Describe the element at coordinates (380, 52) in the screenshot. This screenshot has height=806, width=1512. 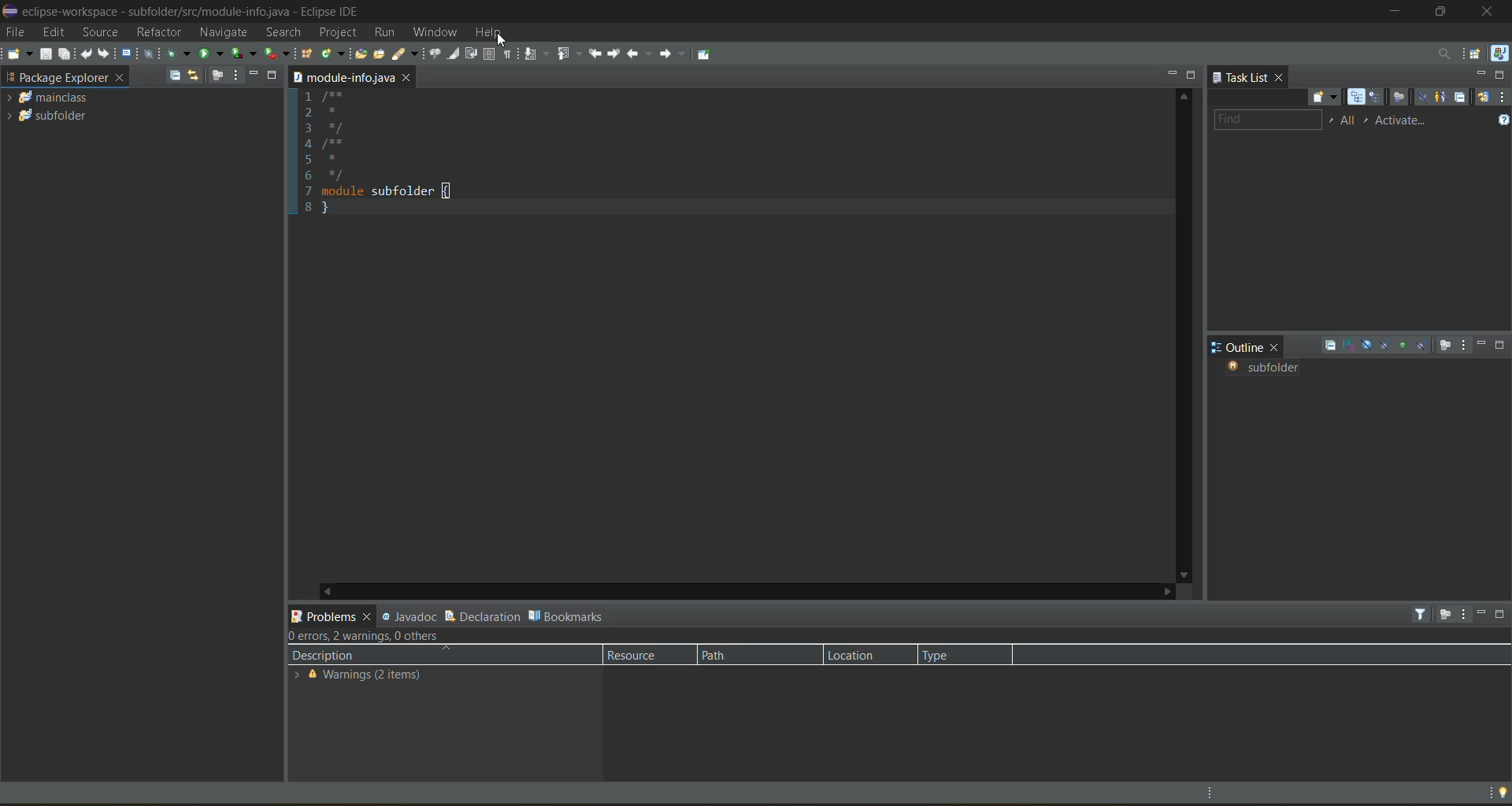
I see `open task` at that location.